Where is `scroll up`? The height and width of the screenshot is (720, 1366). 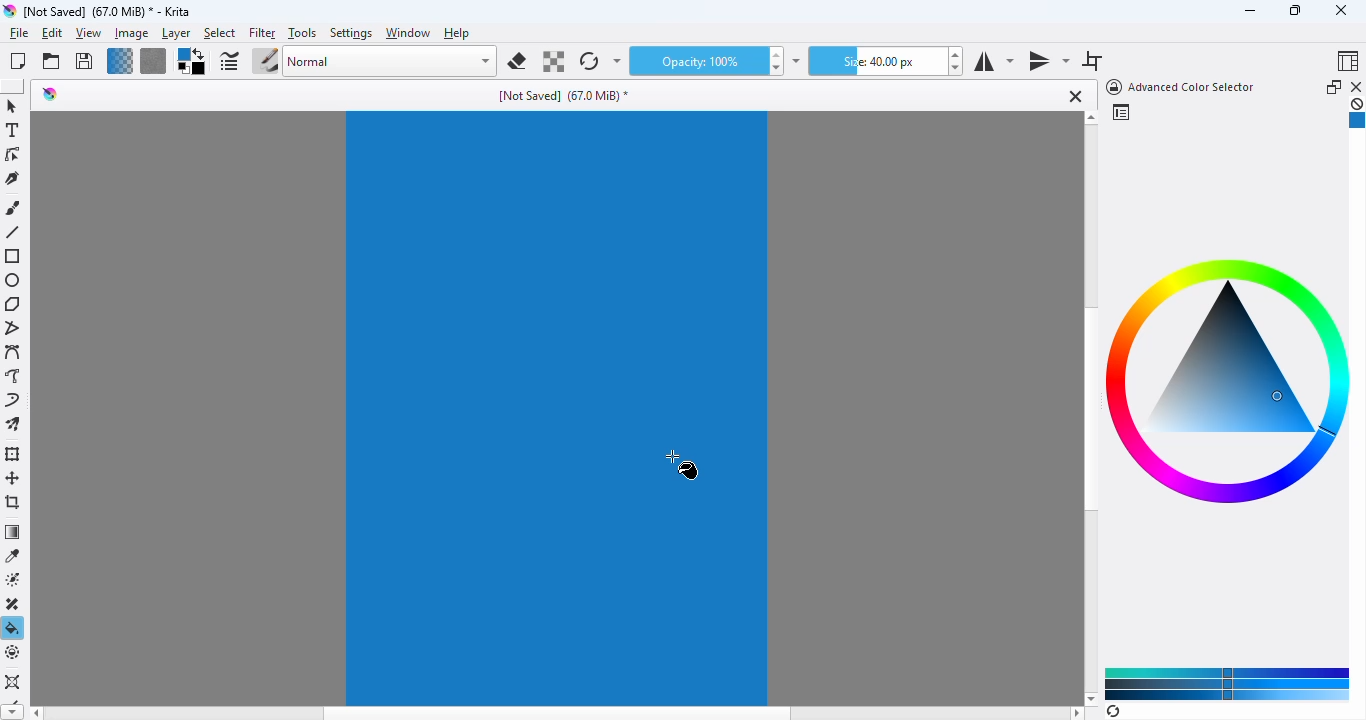 scroll up is located at coordinates (1091, 118).